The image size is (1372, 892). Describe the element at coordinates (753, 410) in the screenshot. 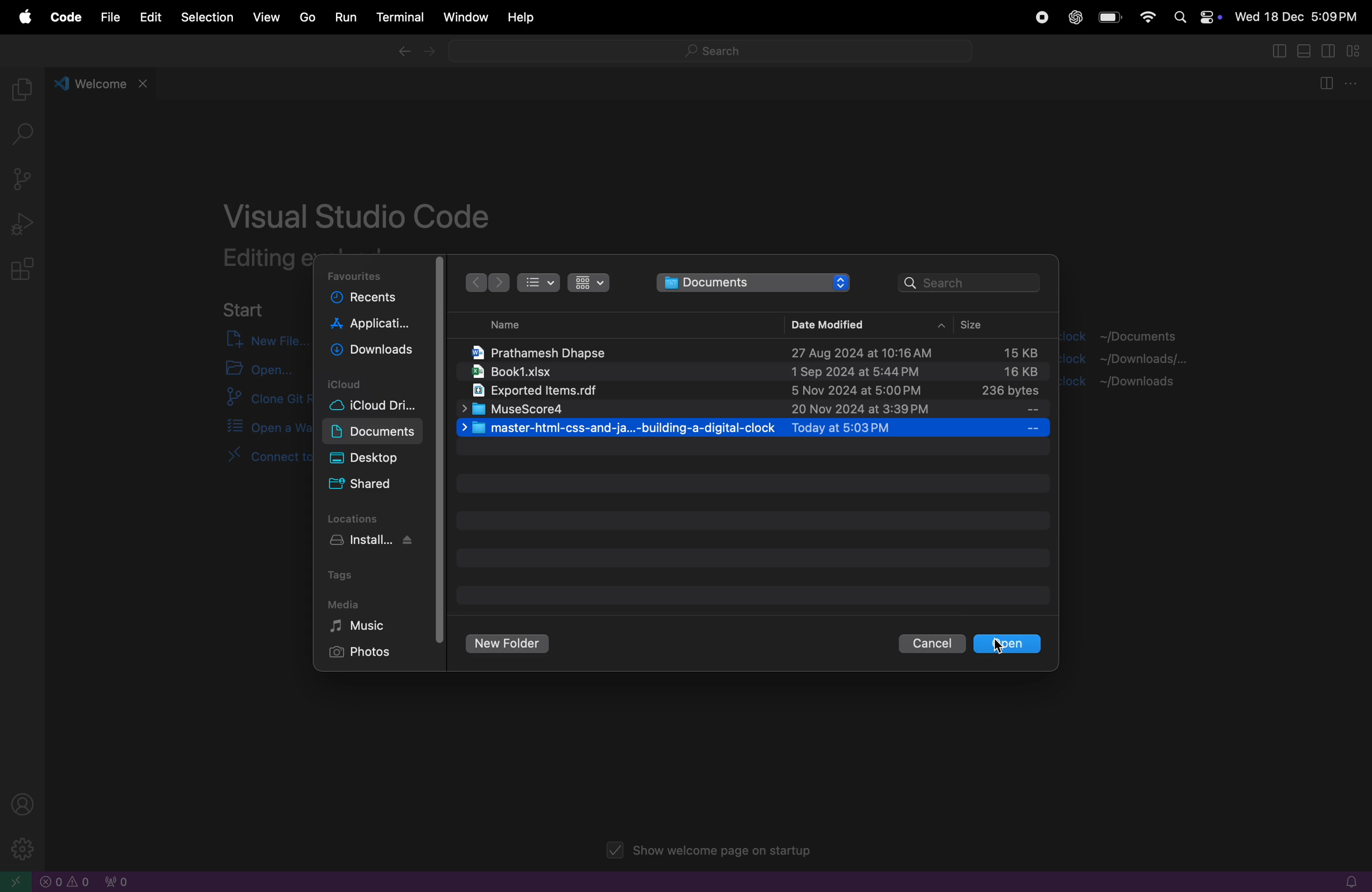

I see `file` at that location.